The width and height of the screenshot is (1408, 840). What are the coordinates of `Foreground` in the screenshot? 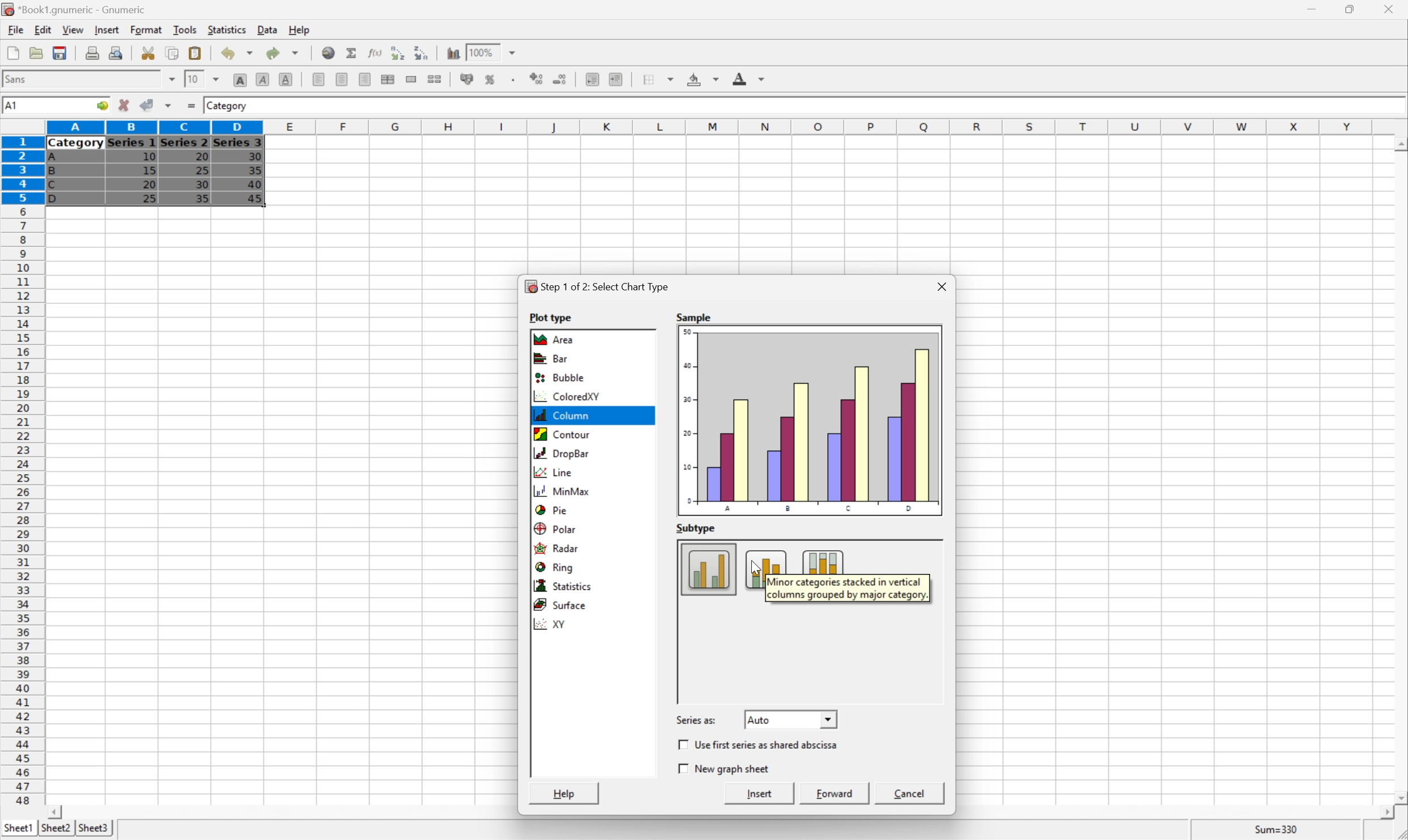 It's located at (747, 77).